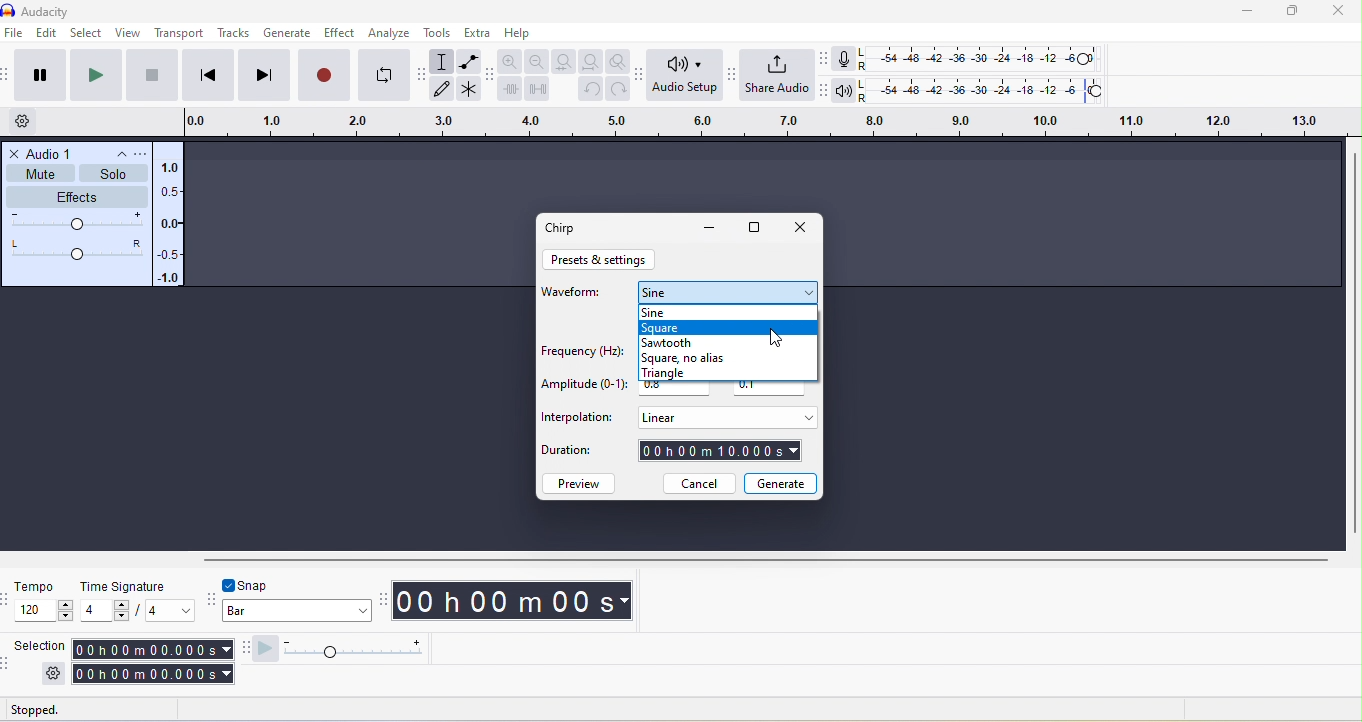  What do you see at coordinates (346, 649) in the screenshot?
I see `play at speed` at bounding box center [346, 649].